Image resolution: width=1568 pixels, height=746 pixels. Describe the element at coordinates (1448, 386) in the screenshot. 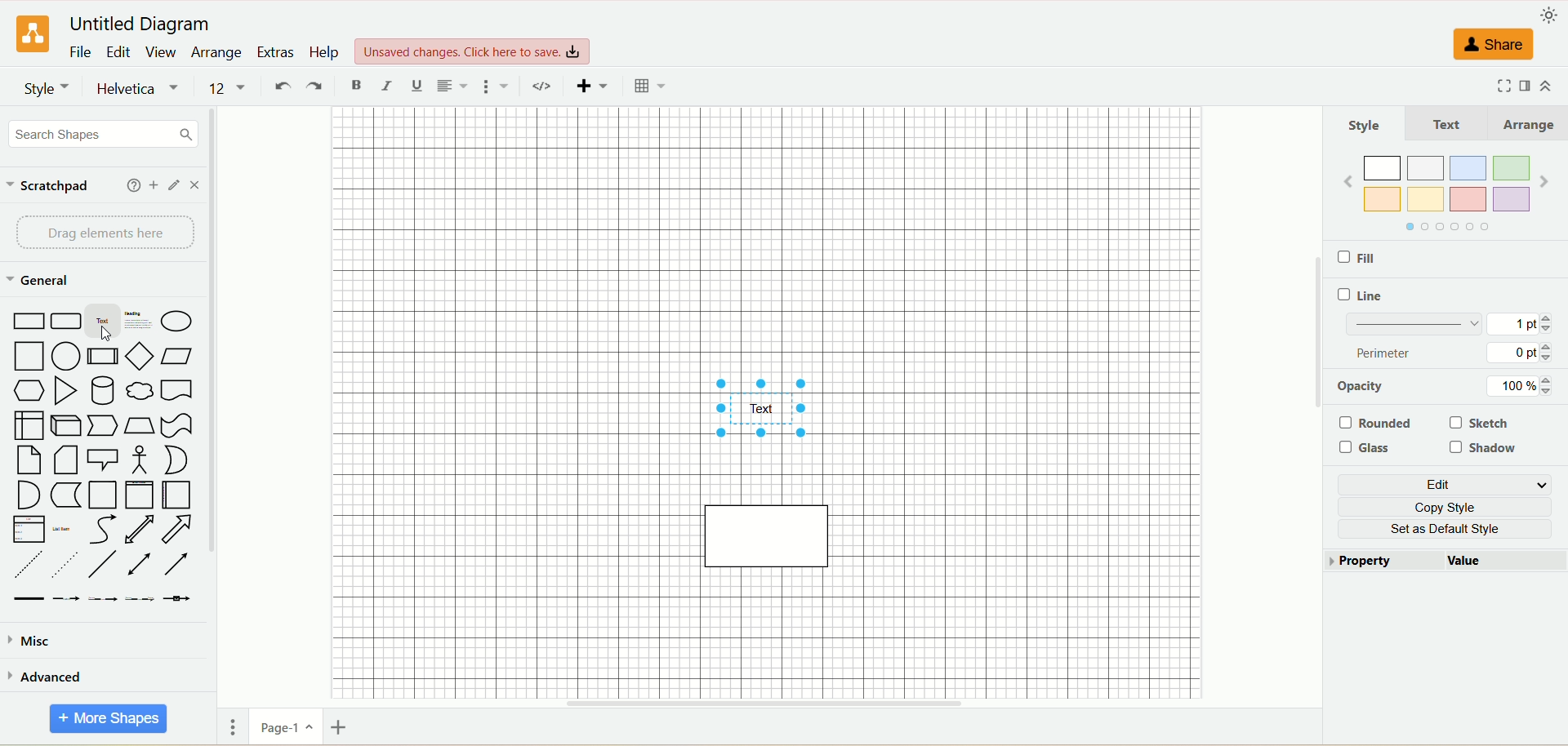

I see `opacity` at that location.